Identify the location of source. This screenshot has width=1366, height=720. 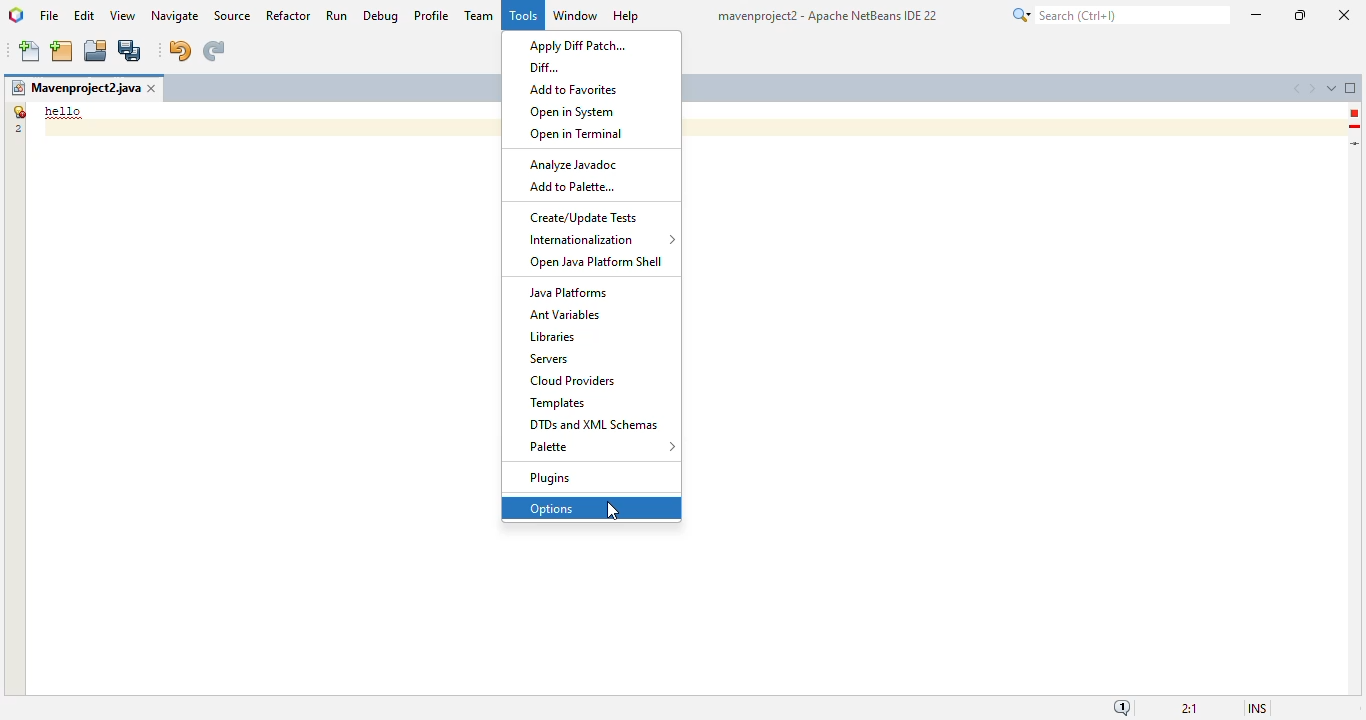
(232, 16).